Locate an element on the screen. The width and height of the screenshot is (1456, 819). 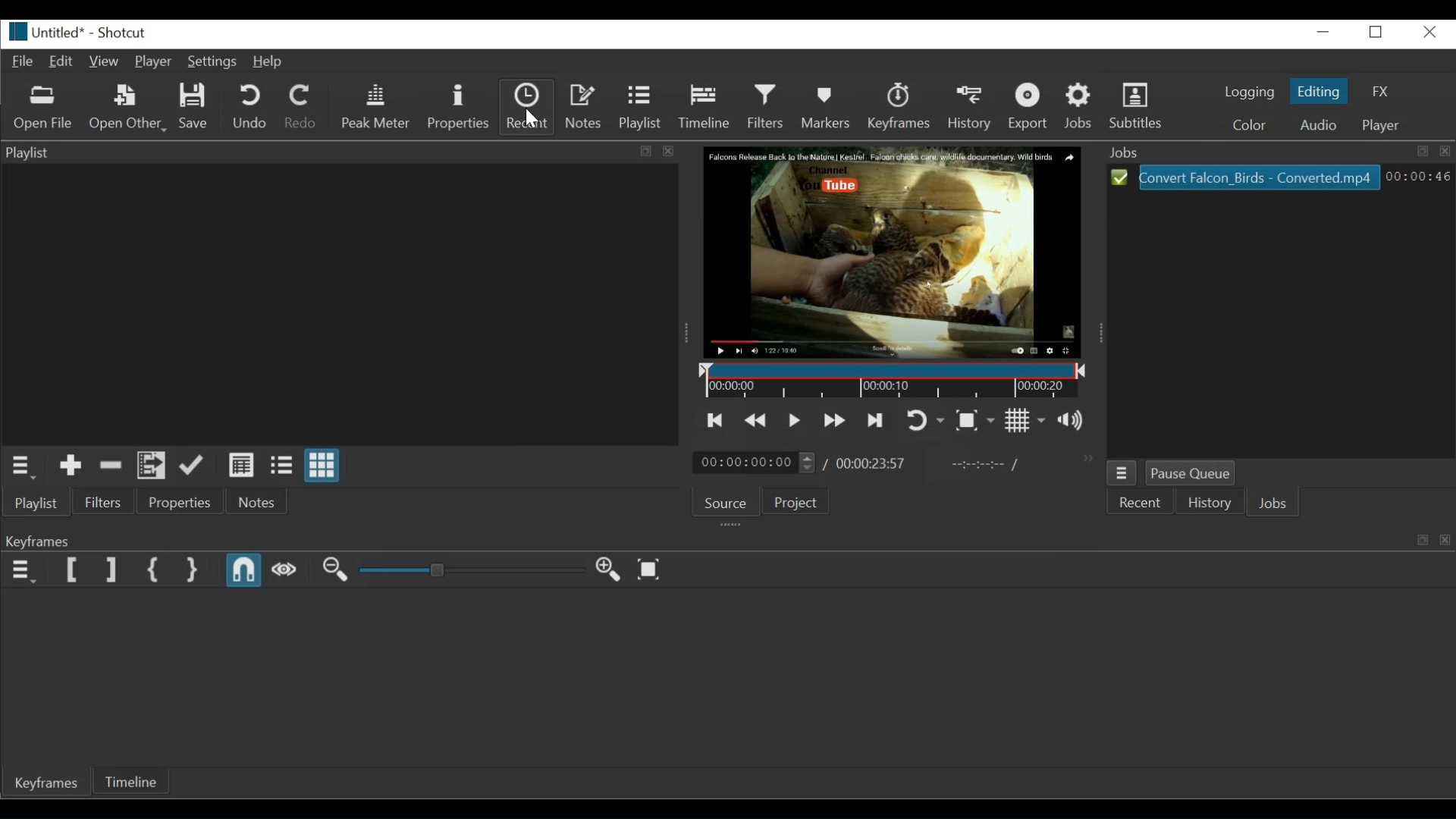
Project is located at coordinates (794, 503).